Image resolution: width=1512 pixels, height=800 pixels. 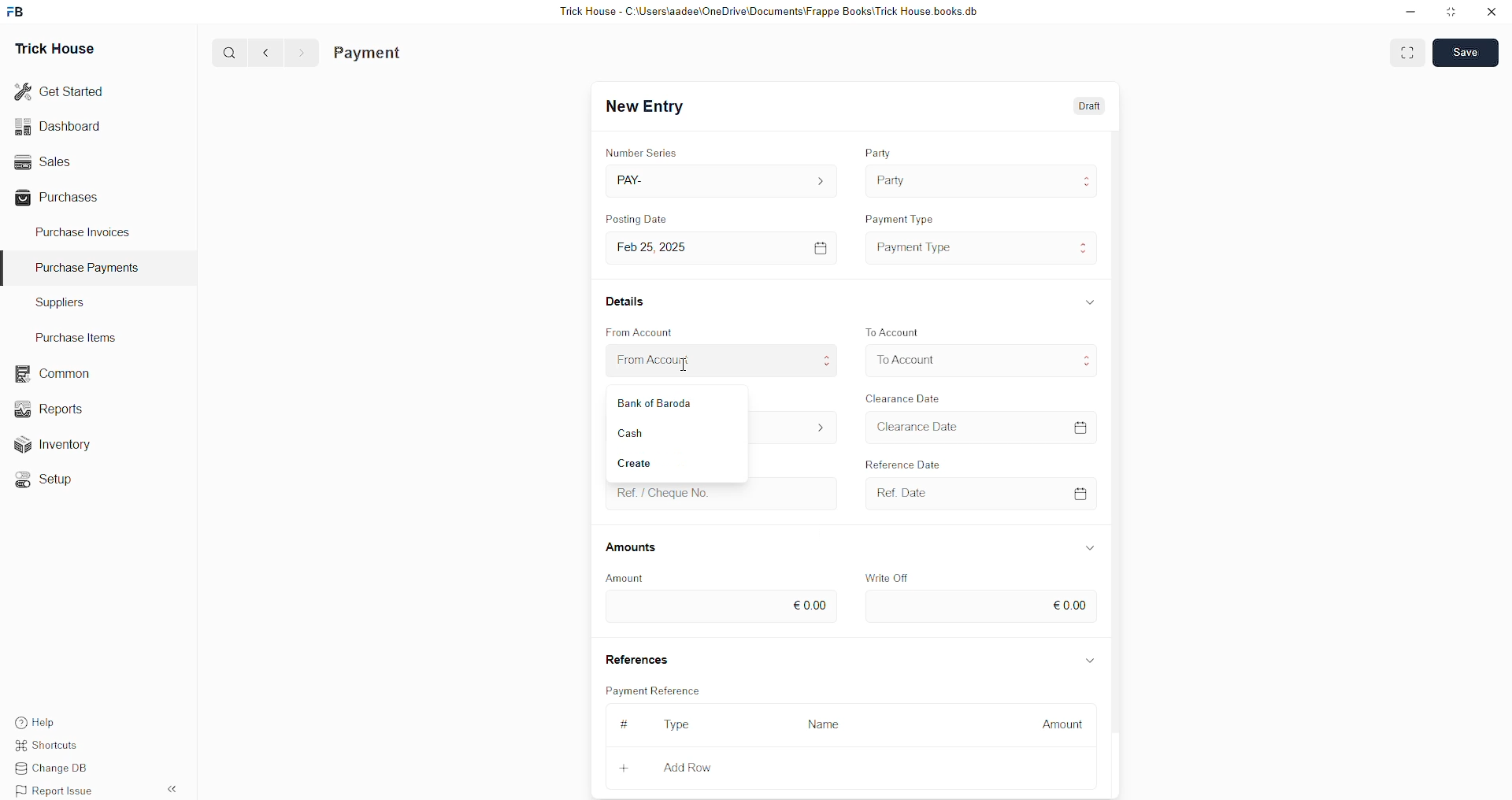 I want to click on From Account, so click(x=661, y=361).